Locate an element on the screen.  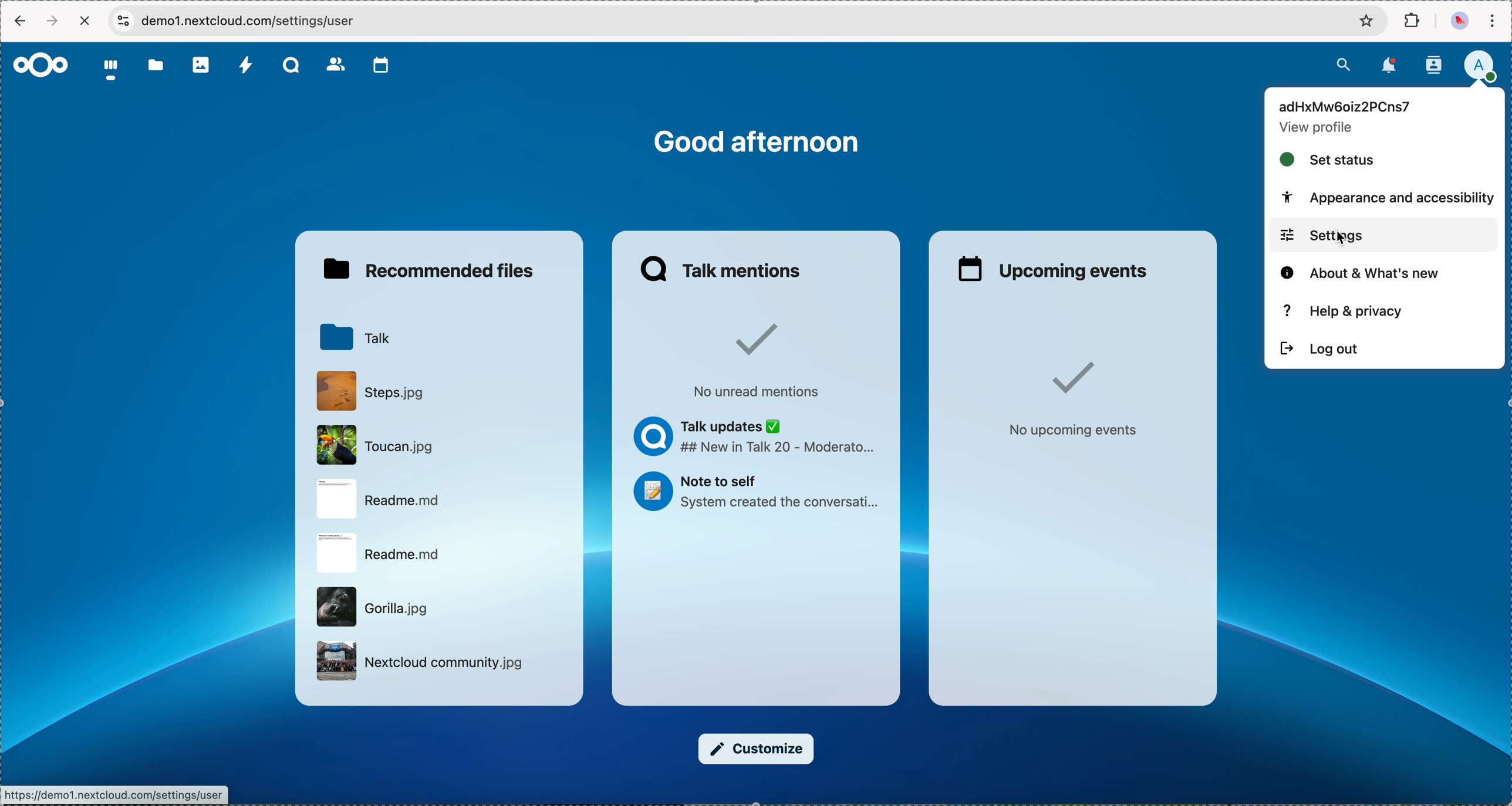
URL is located at coordinates (117, 794).